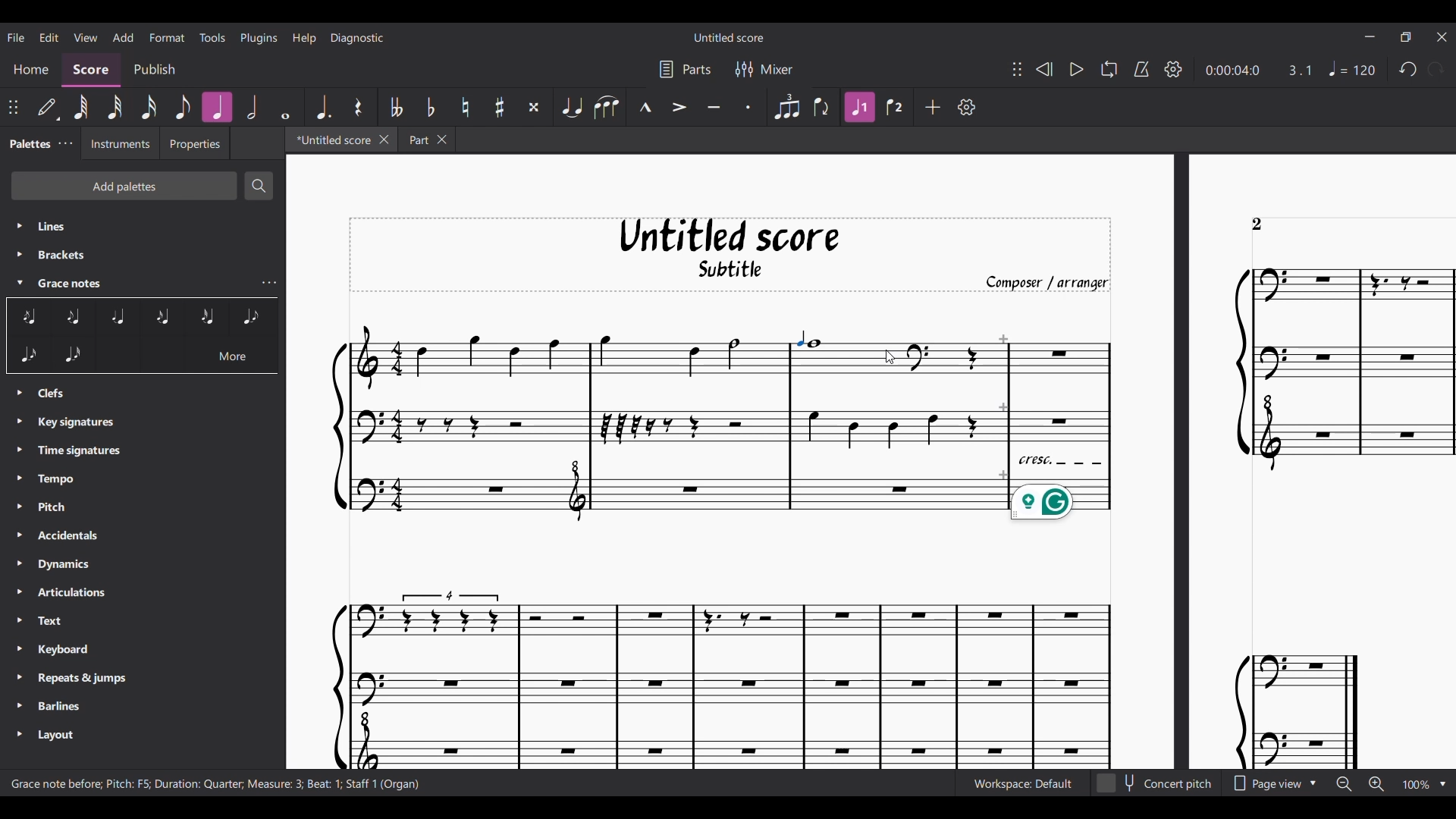 This screenshot has width=1456, height=819. What do you see at coordinates (19, 482) in the screenshot?
I see `Expand respective palette` at bounding box center [19, 482].